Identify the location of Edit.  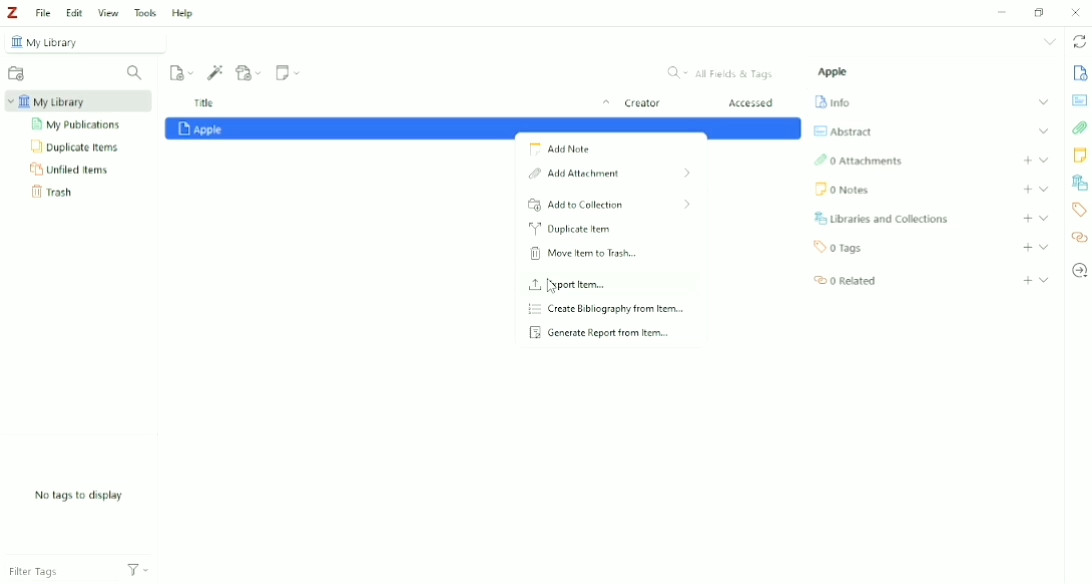
(74, 13).